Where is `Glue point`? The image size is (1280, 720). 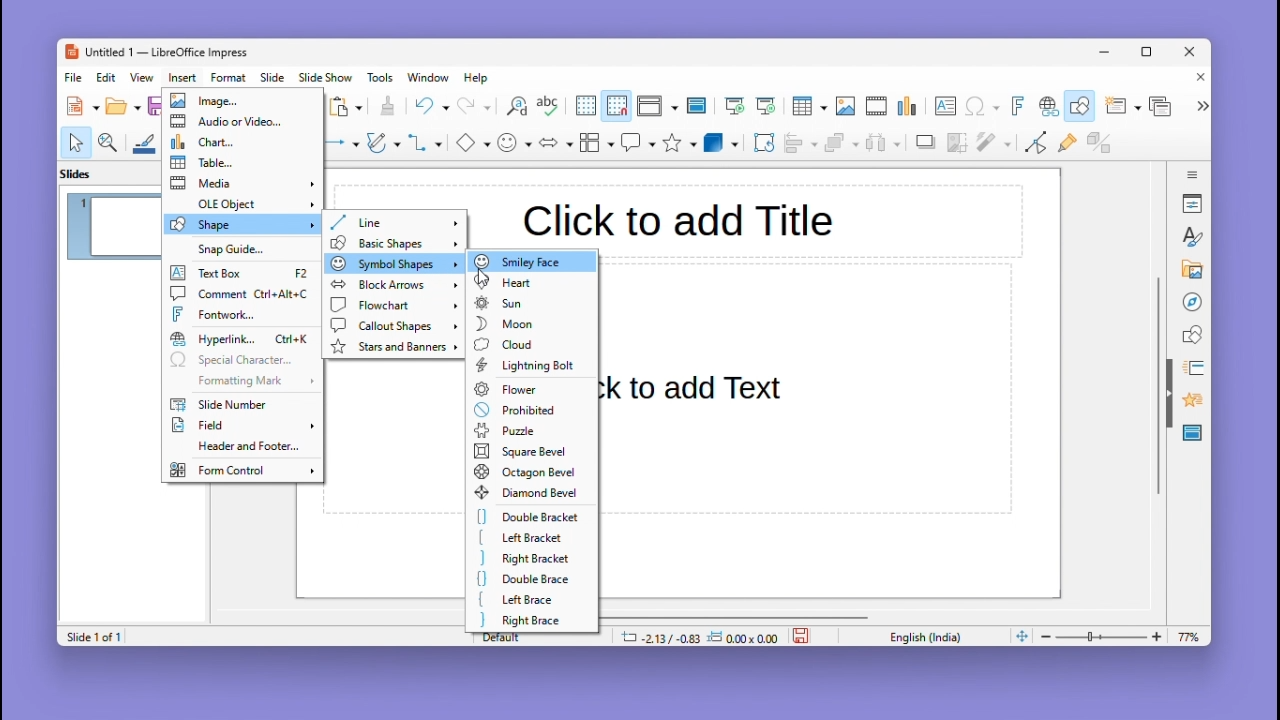 Glue point is located at coordinates (1071, 145).